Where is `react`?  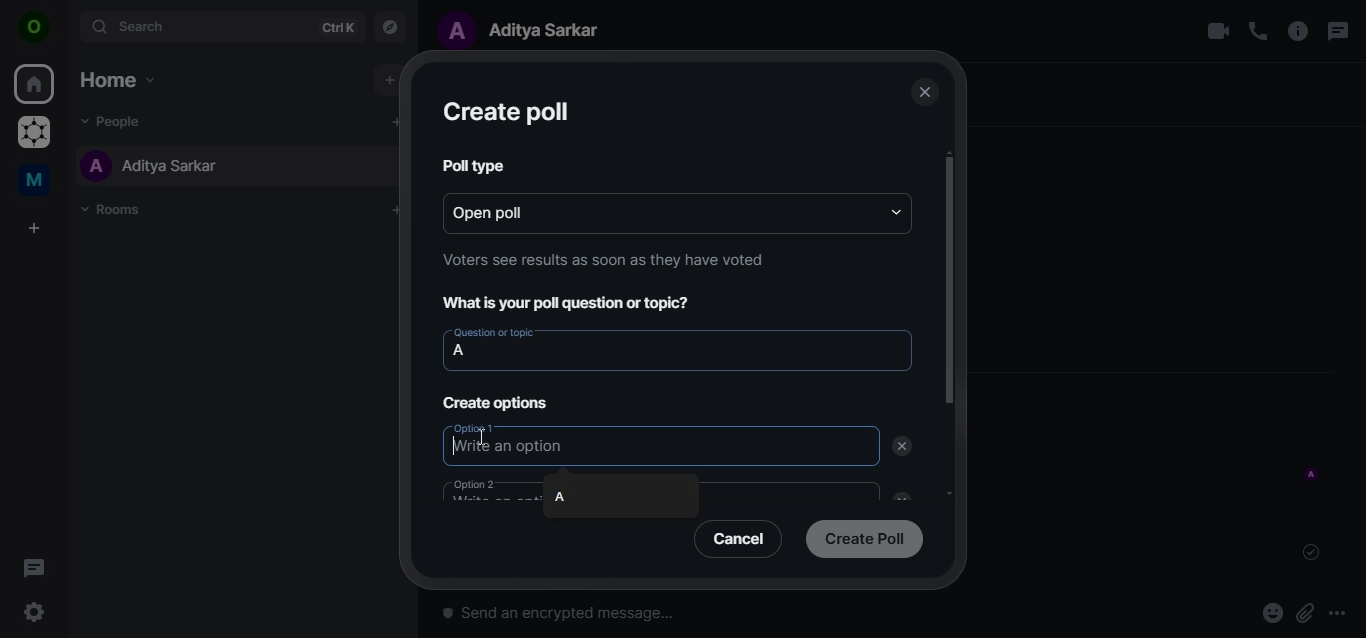 react is located at coordinates (1273, 615).